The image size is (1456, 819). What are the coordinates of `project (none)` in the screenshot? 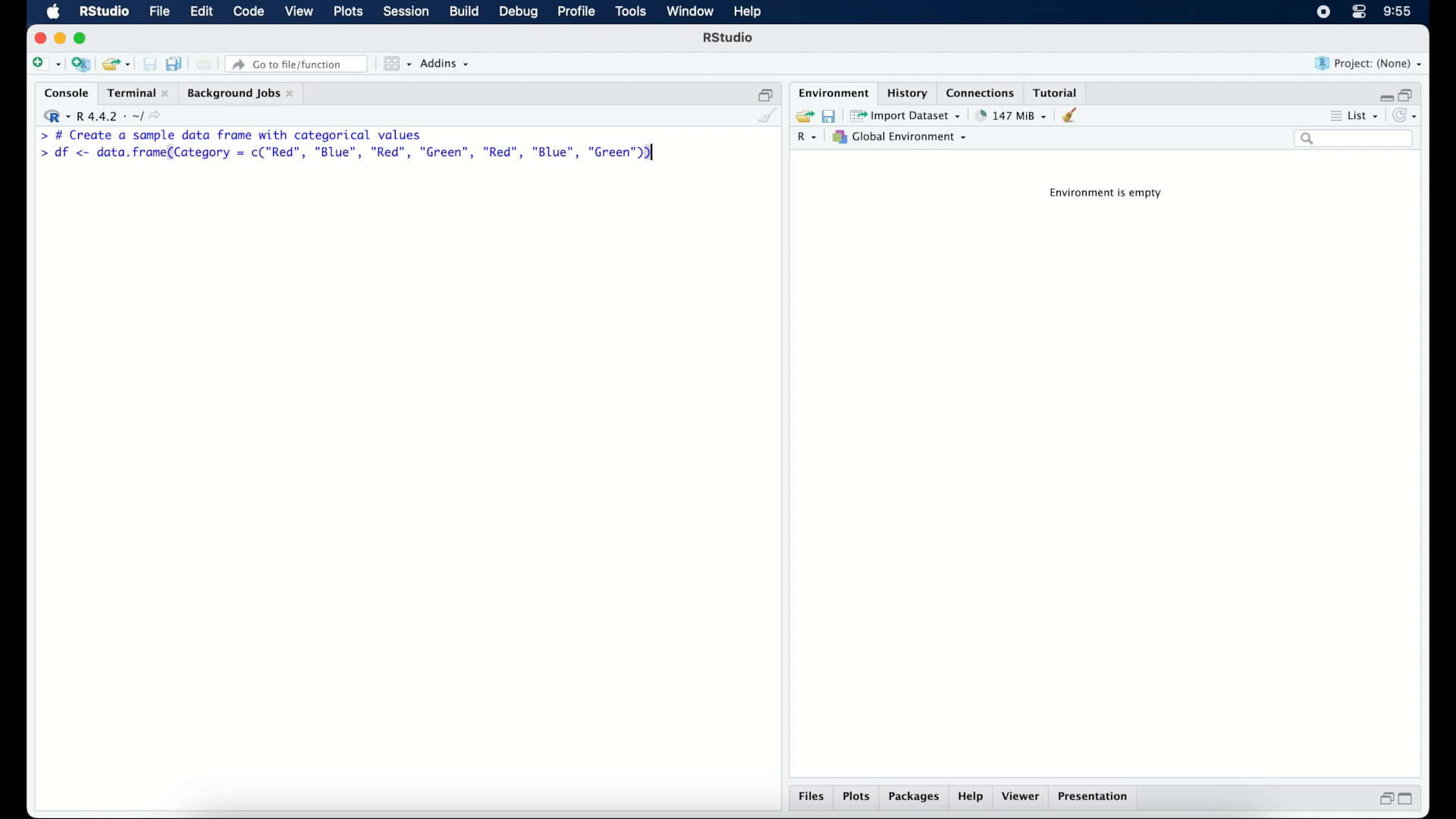 It's located at (1369, 63).